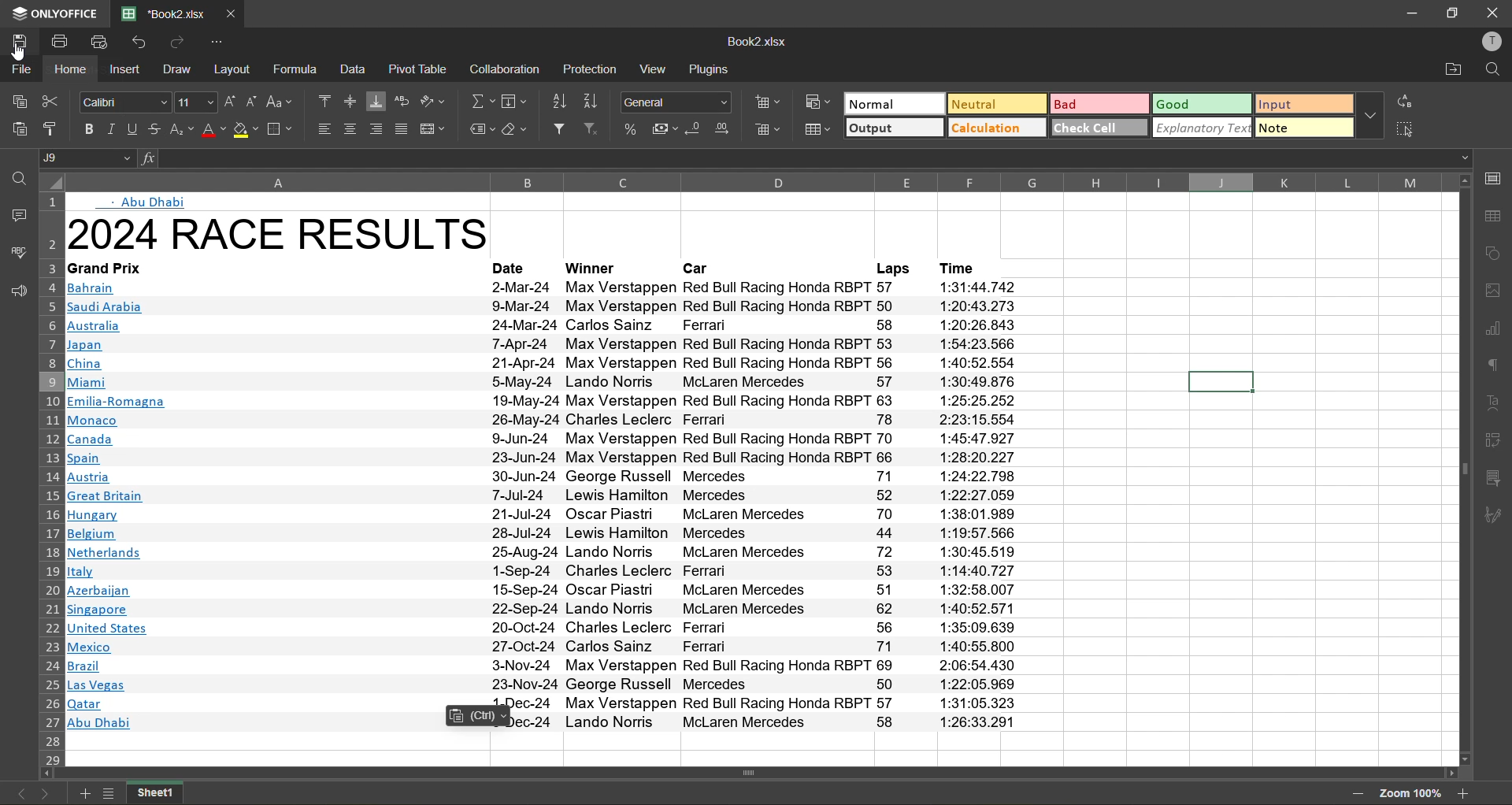  What do you see at coordinates (1495, 479) in the screenshot?
I see `slicer` at bounding box center [1495, 479].